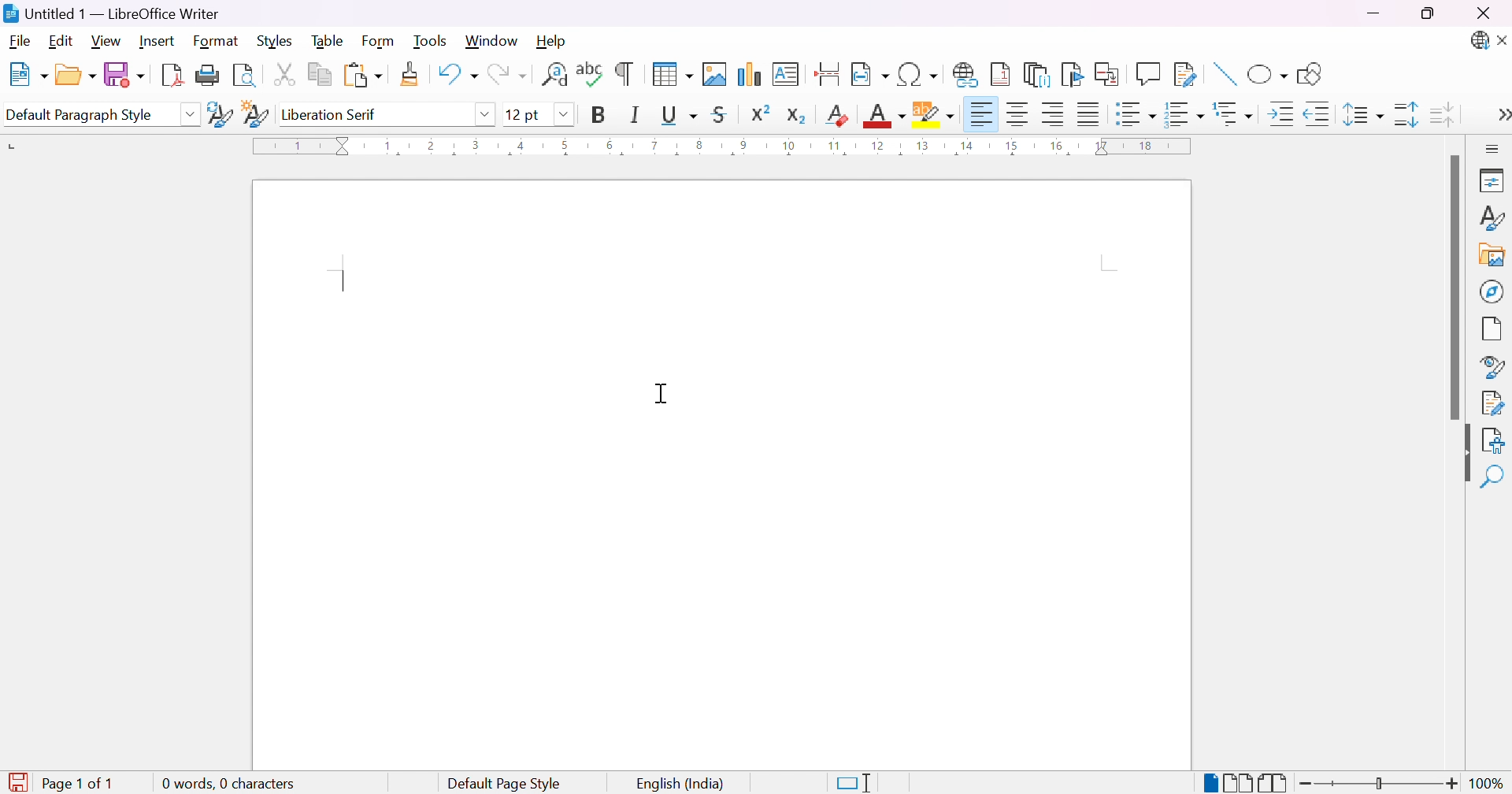 Image resolution: width=1512 pixels, height=794 pixels. What do you see at coordinates (171, 74) in the screenshot?
I see `Export as PDF` at bounding box center [171, 74].